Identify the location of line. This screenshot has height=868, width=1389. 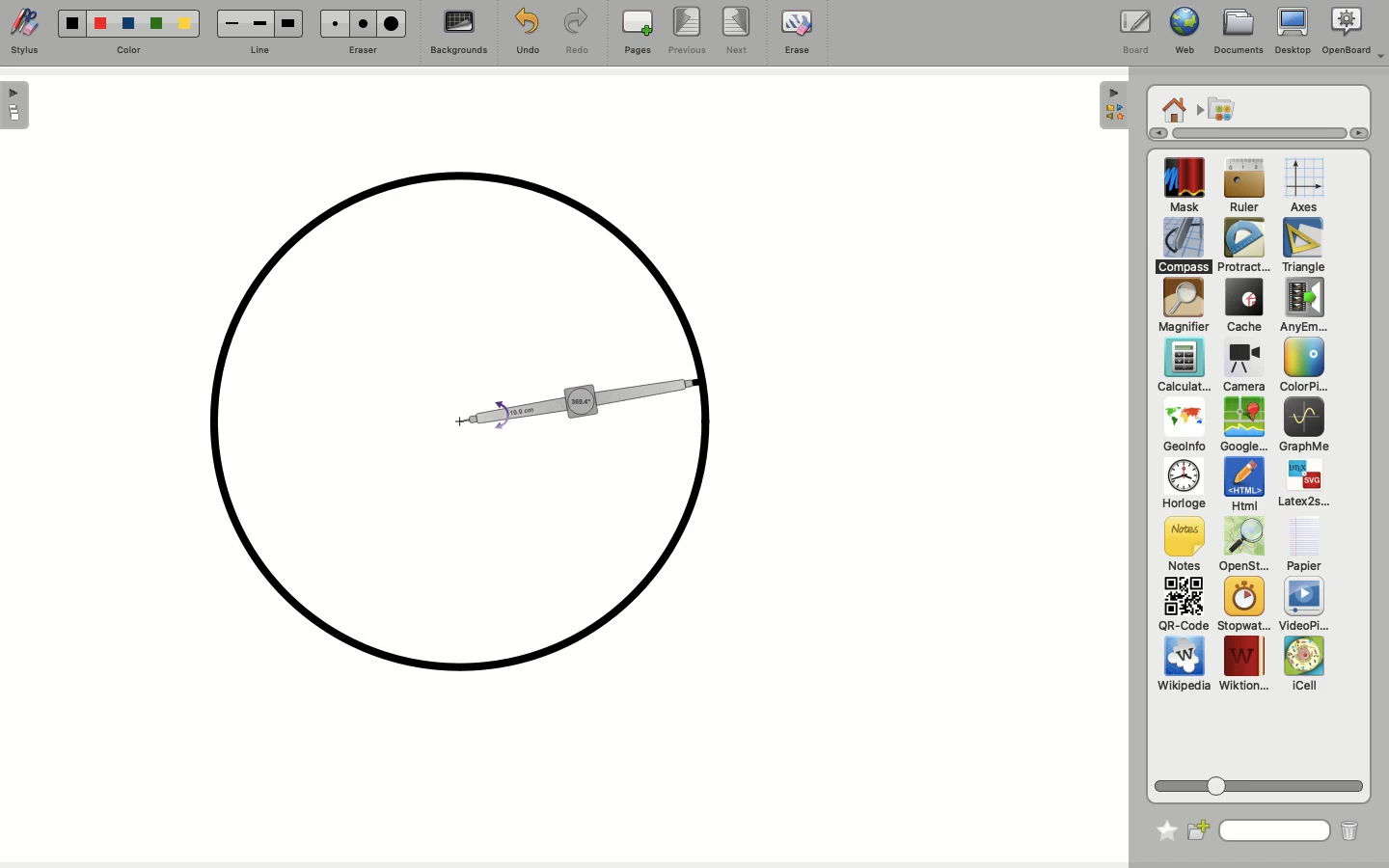
(258, 50).